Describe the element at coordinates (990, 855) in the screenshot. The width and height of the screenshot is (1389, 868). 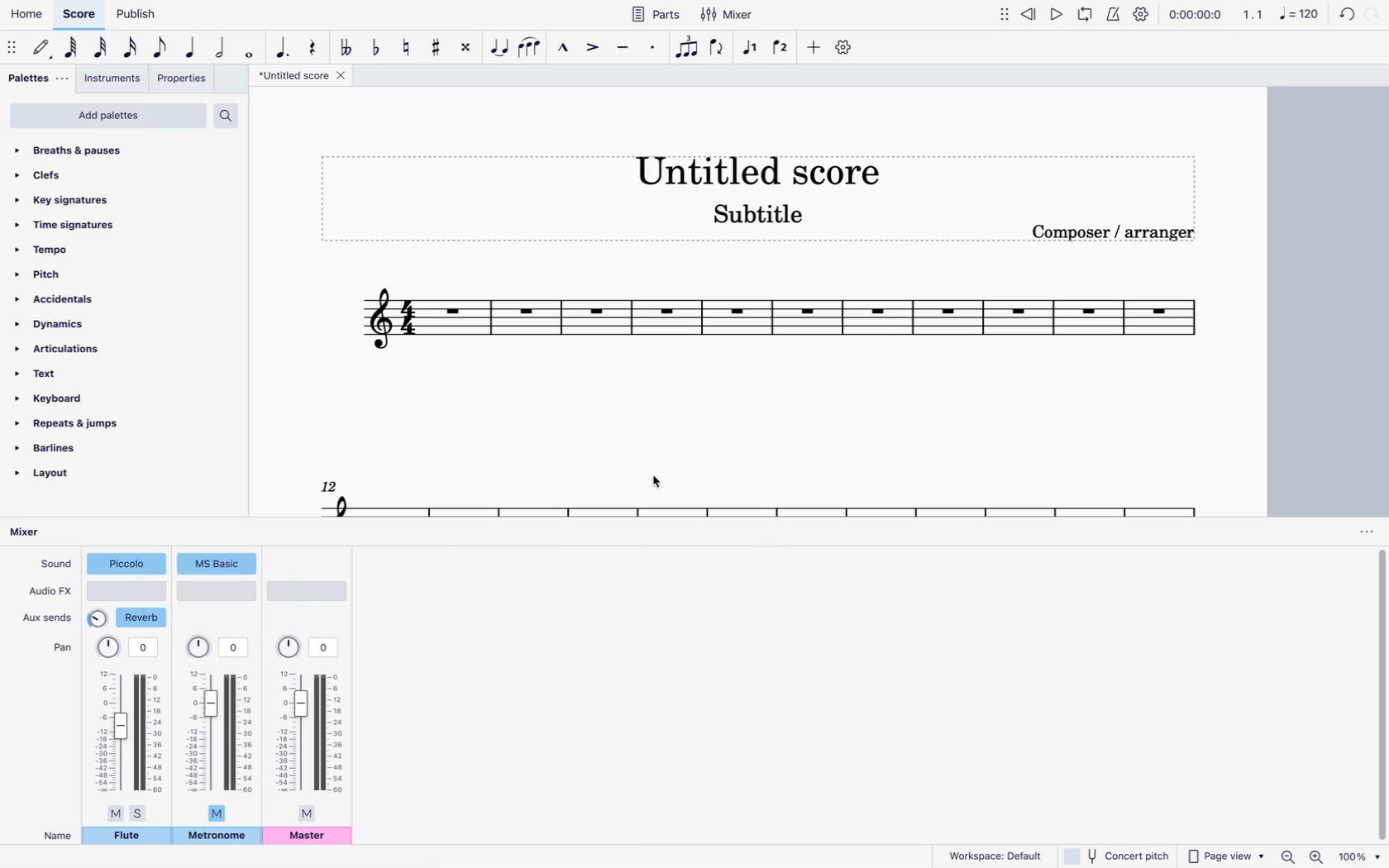
I see `workspace` at that location.